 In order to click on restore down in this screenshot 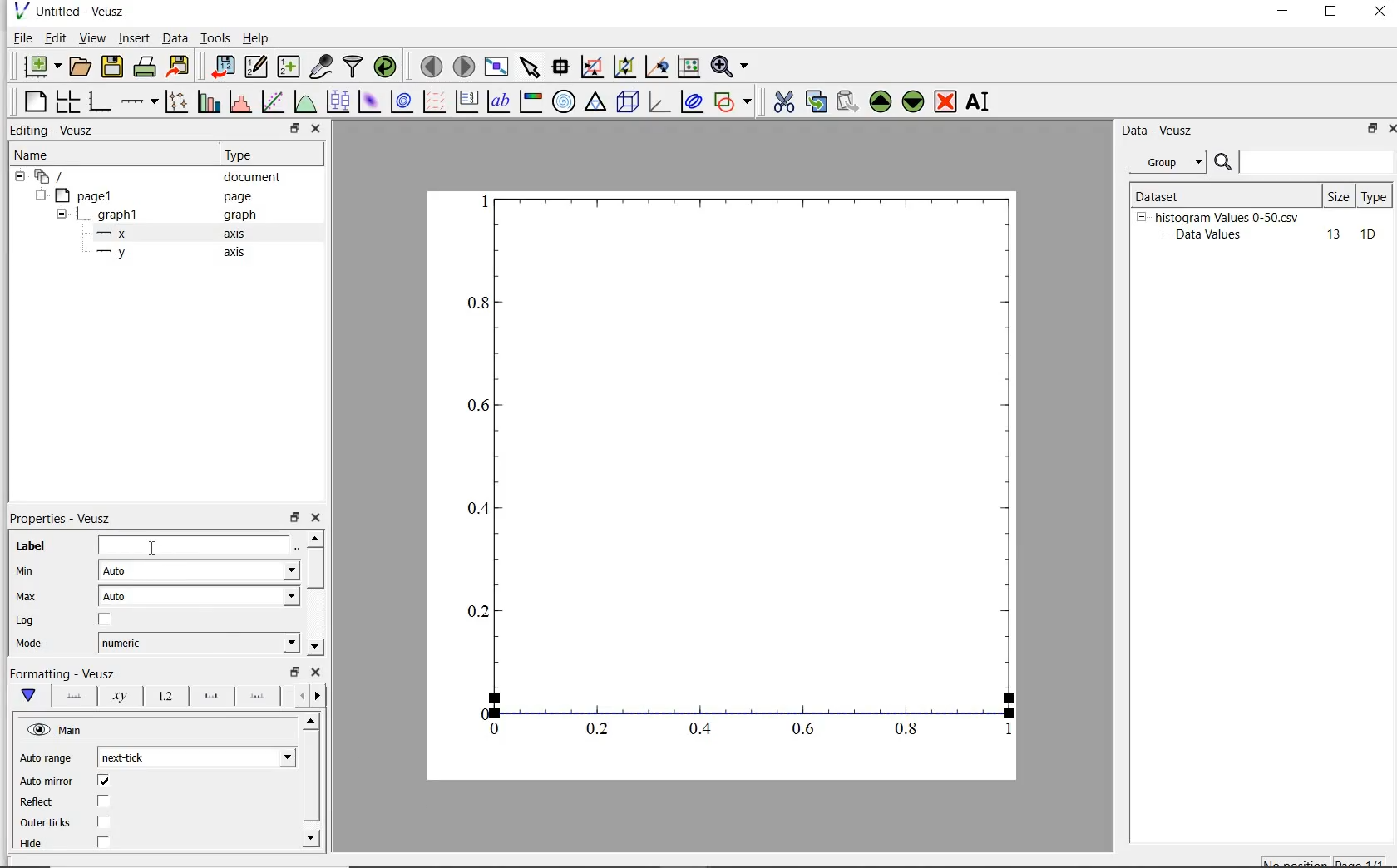, I will do `click(1367, 130)`.